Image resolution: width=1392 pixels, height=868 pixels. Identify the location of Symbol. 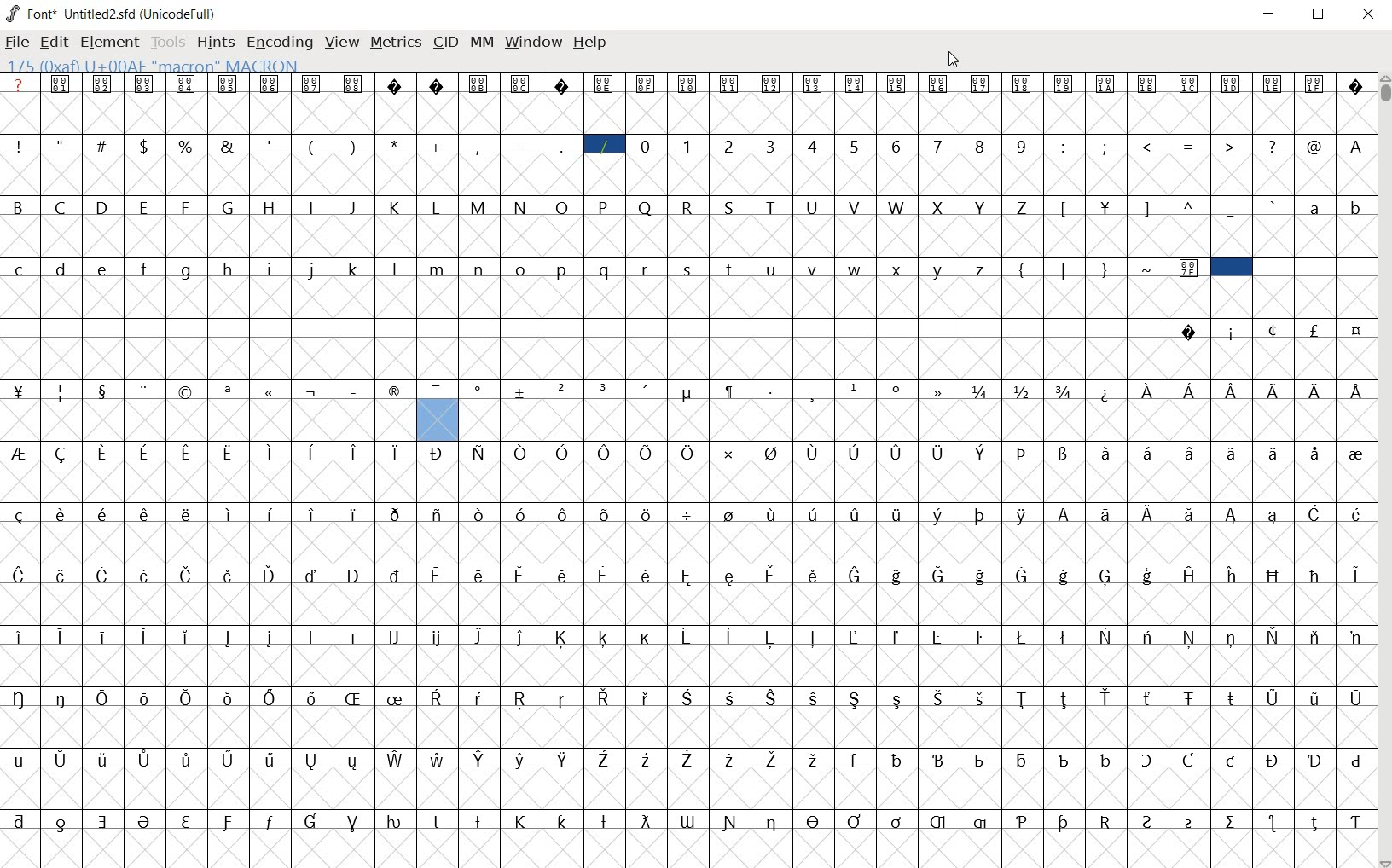
(146, 451).